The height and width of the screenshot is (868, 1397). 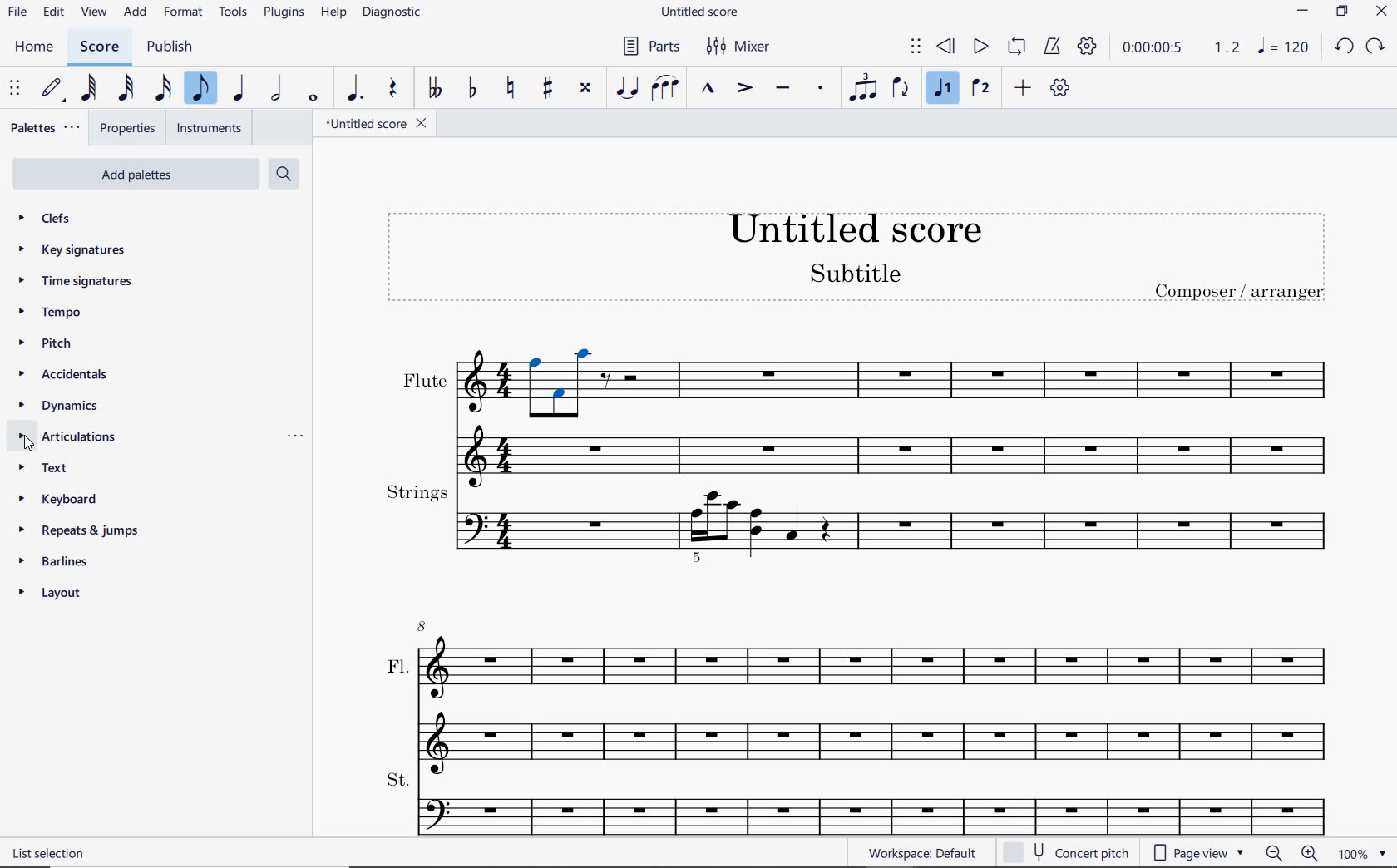 I want to click on REST, so click(x=393, y=90).